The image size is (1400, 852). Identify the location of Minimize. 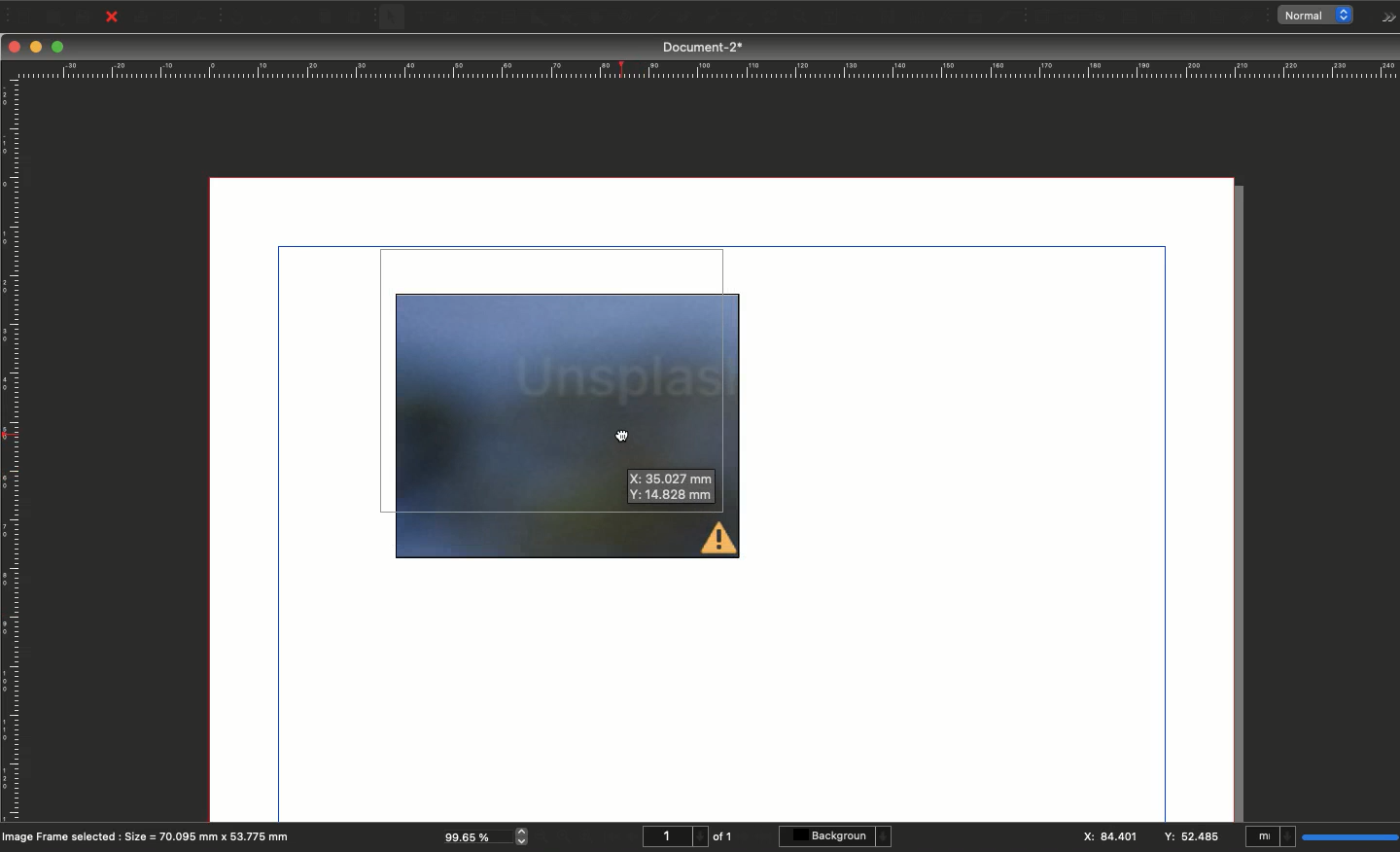
(38, 48).